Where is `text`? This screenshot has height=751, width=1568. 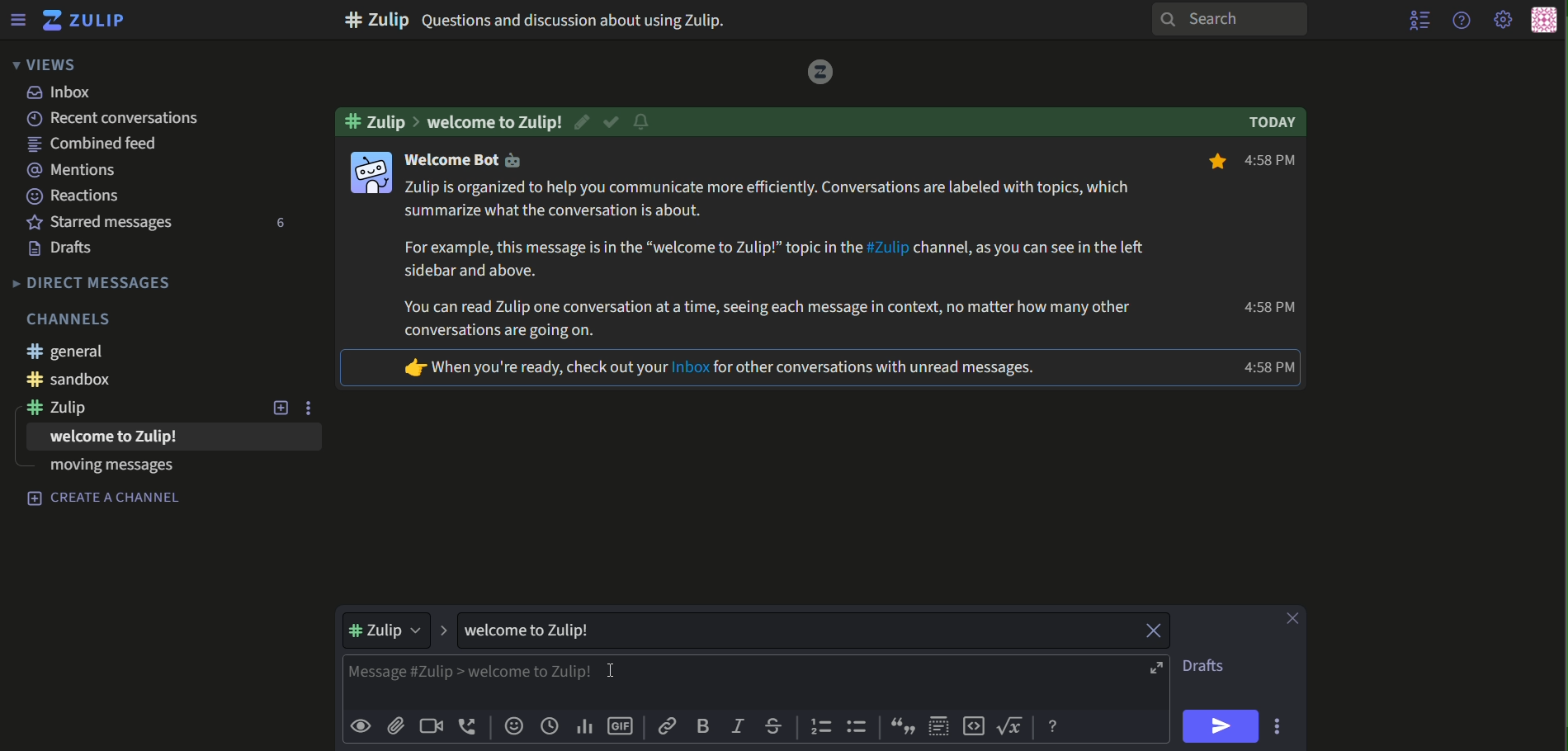
text is located at coordinates (106, 471).